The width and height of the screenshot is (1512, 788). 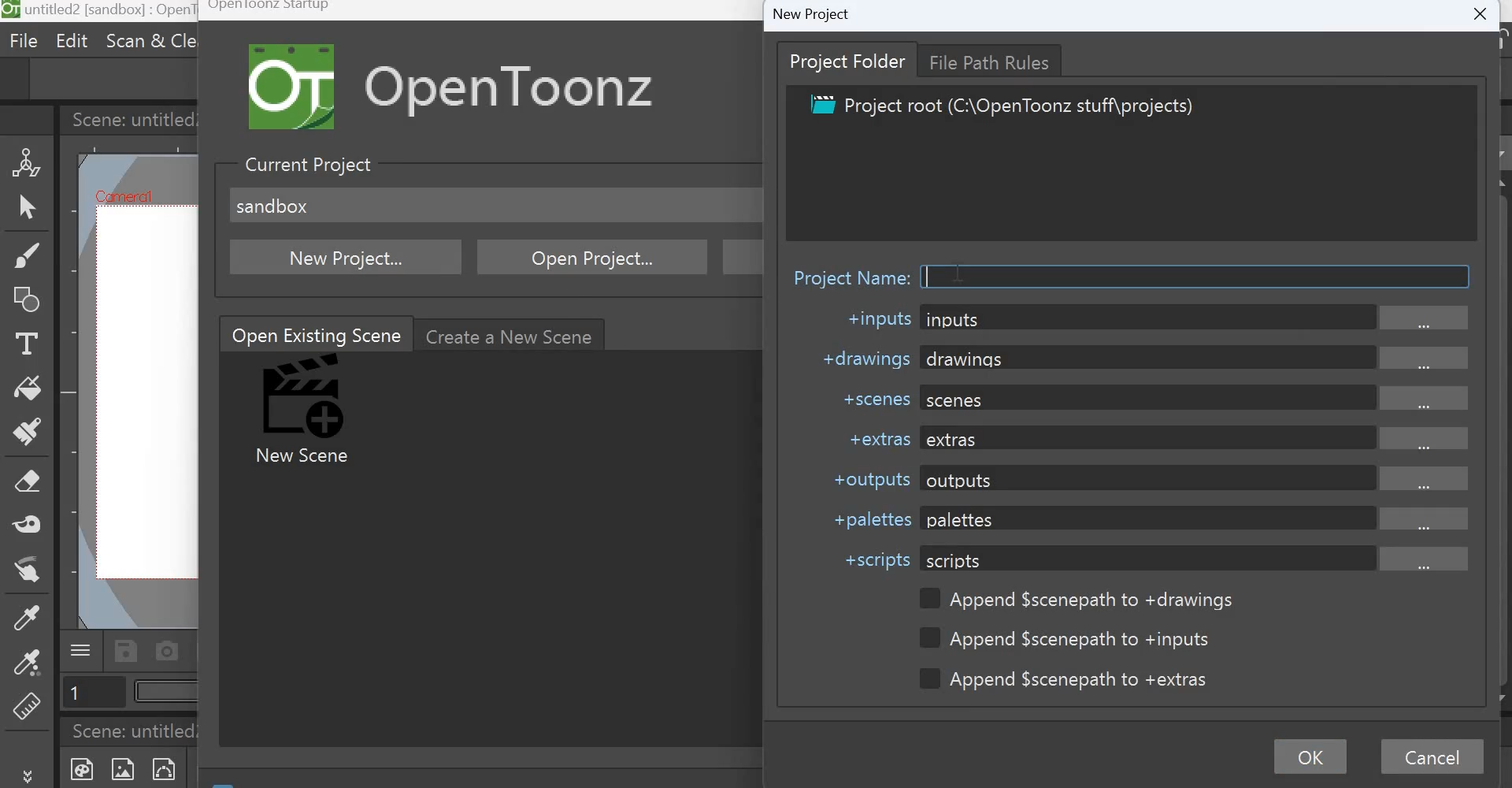 I want to click on File Path Rules, so click(x=998, y=60).